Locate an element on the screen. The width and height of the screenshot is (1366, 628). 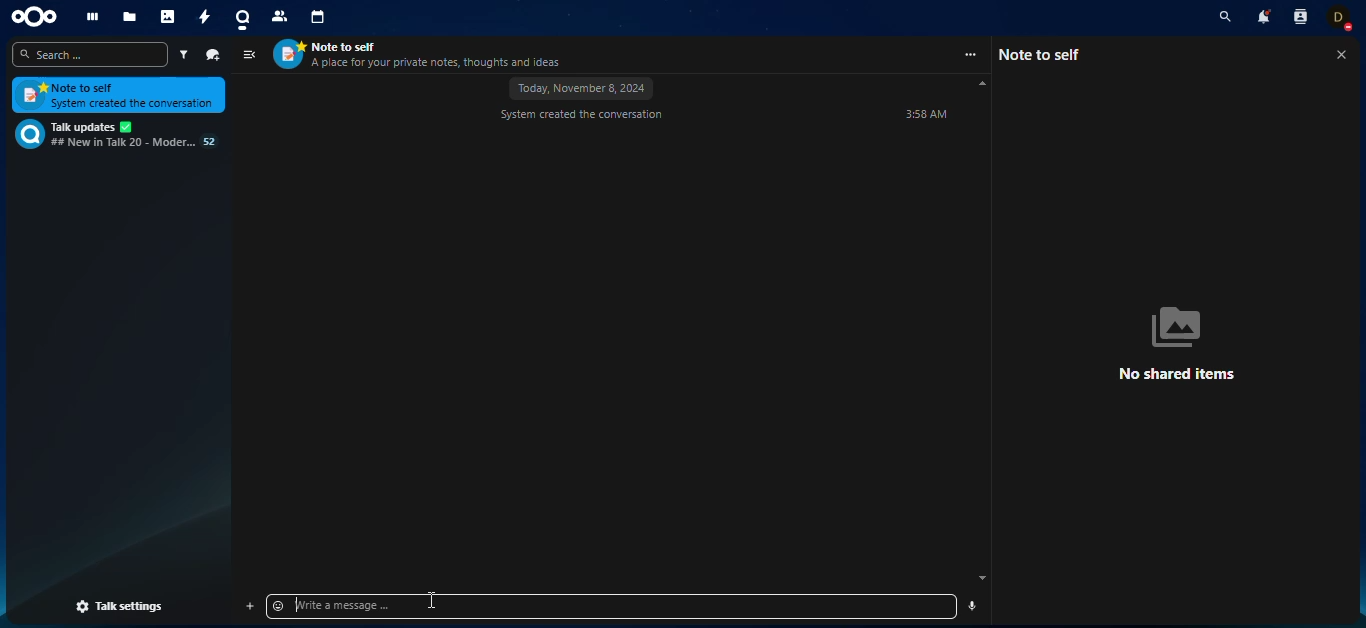
calendar is located at coordinates (319, 19).